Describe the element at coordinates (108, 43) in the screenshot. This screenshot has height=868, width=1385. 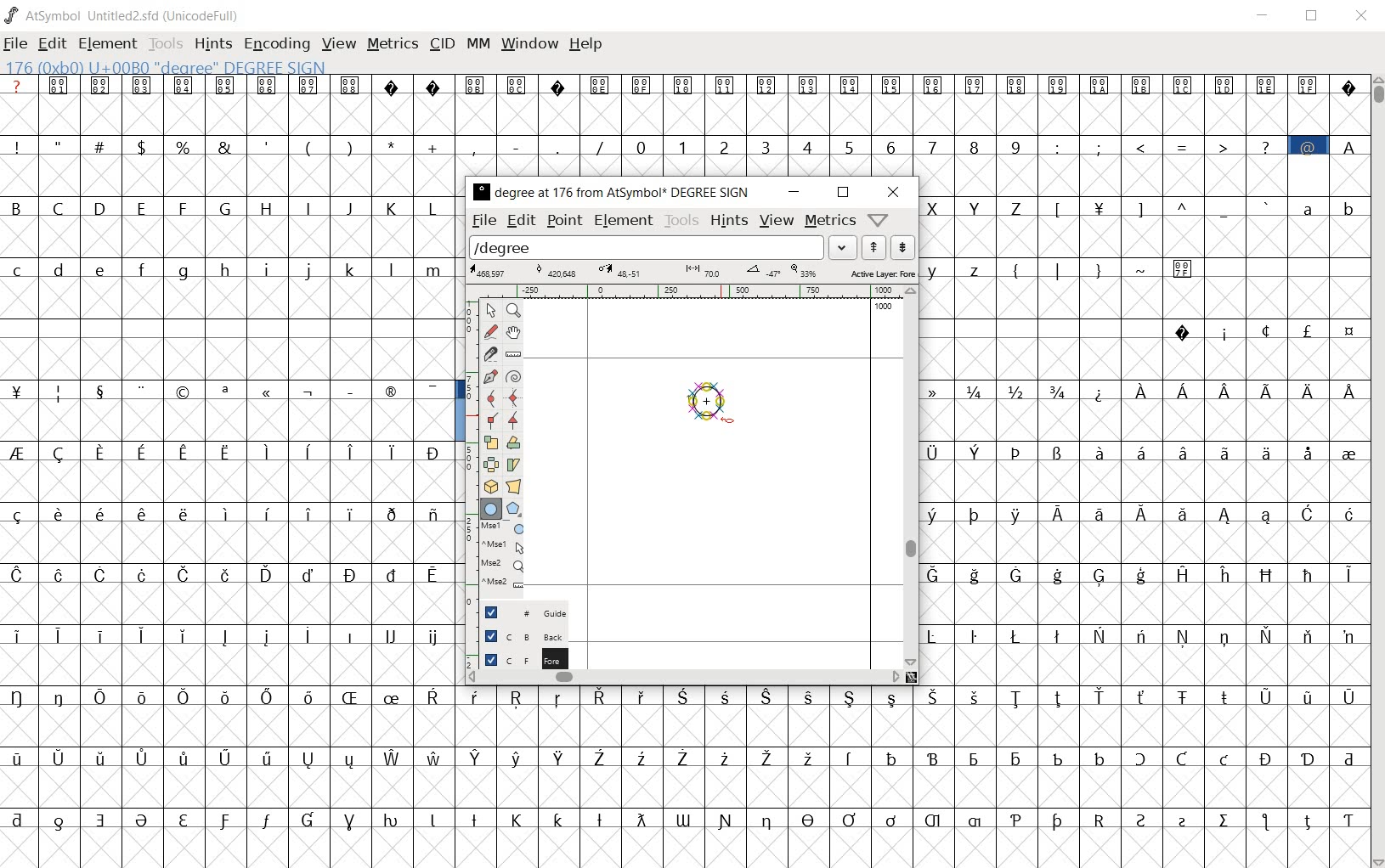
I see `element` at that location.